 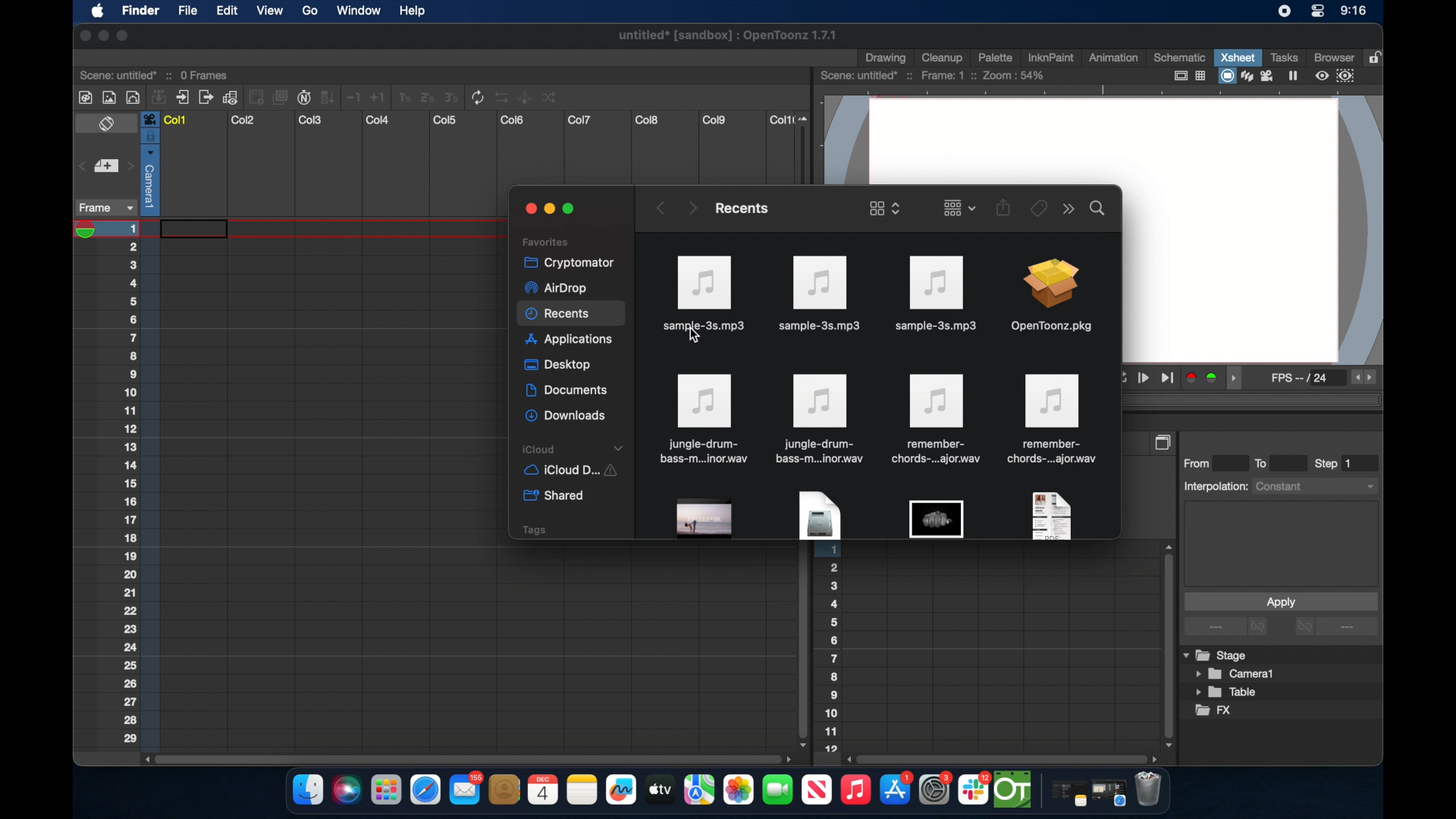 What do you see at coordinates (568, 391) in the screenshot?
I see `documents` at bounding box center [568, 391].